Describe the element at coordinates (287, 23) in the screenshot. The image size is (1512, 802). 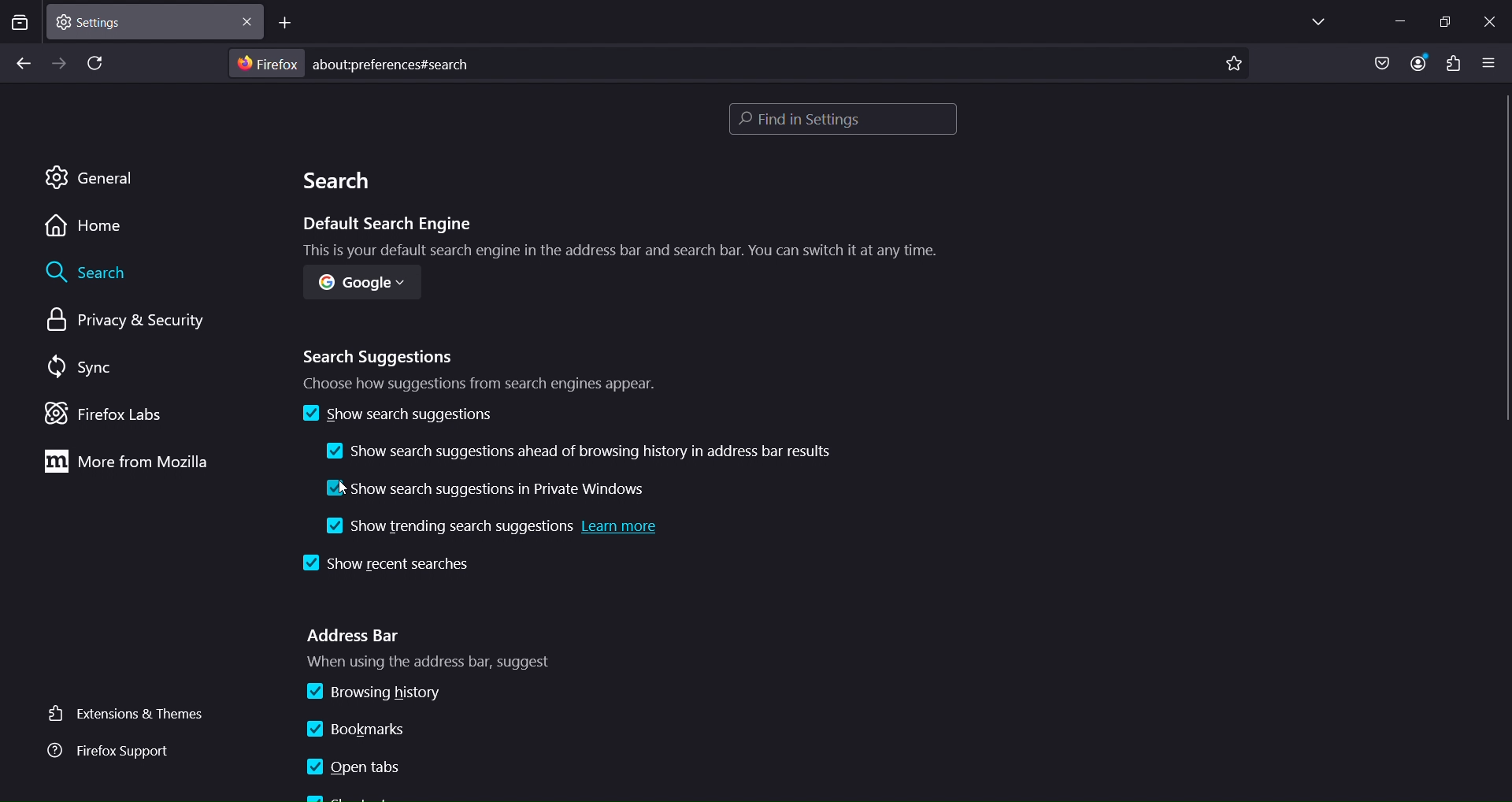
I see `new tab` at that location.